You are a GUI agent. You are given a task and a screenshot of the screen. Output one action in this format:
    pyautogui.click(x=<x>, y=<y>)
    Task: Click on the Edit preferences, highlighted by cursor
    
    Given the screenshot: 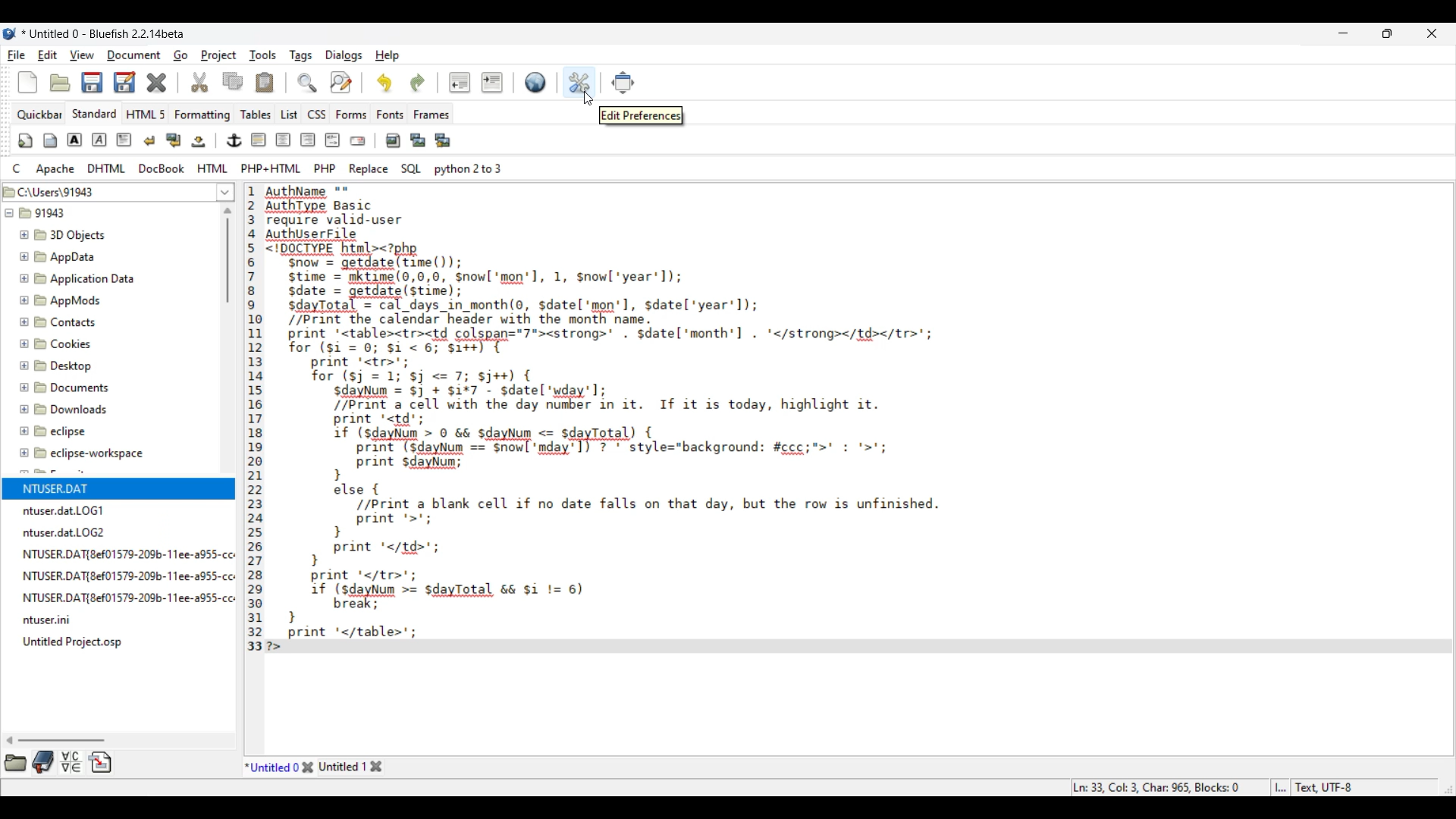 What is the action you would take?
    pyautogui.click(x=580, y=81)
    